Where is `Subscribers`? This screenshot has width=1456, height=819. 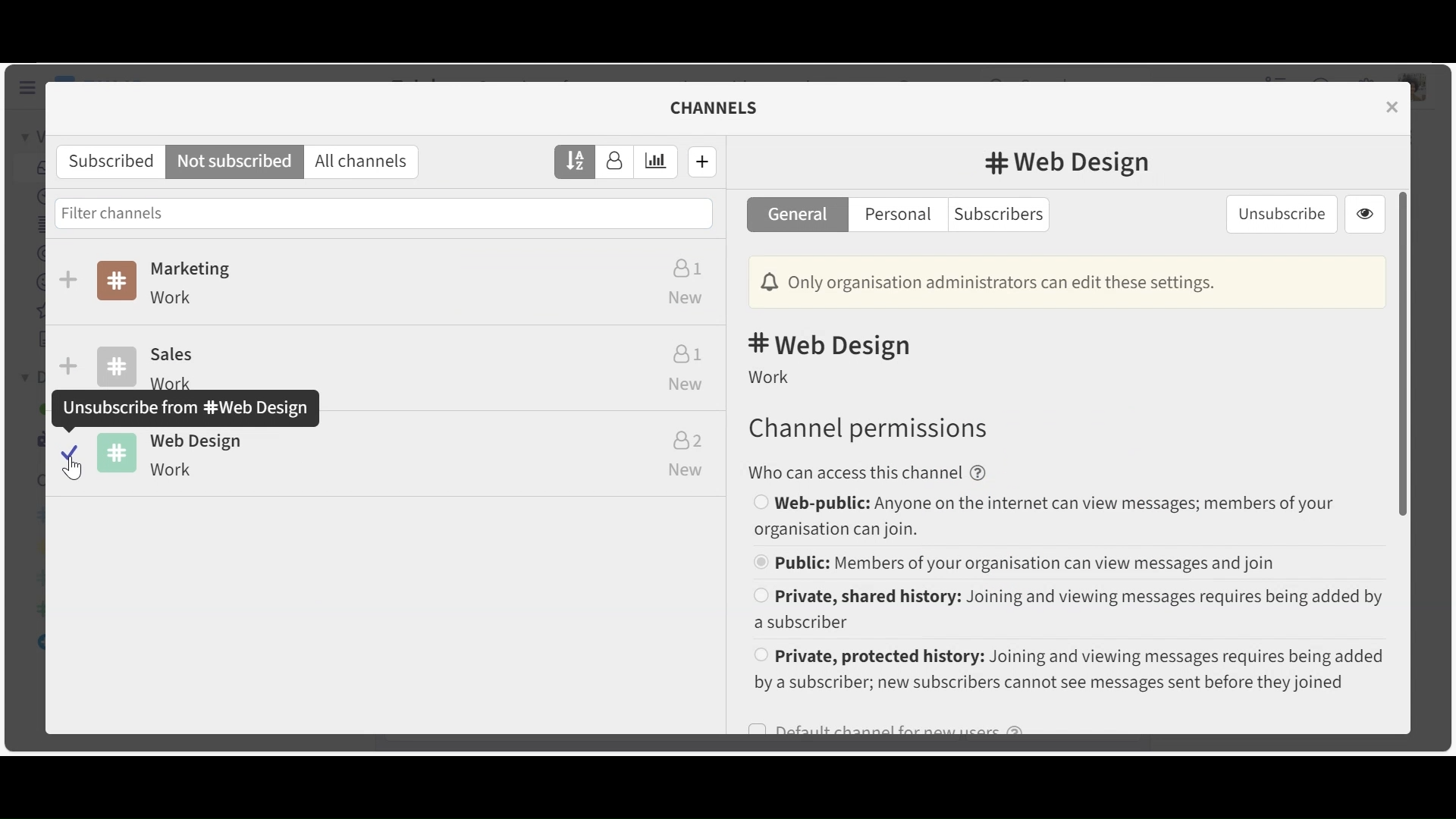 Subscribers is located at coordinates (997, 216).